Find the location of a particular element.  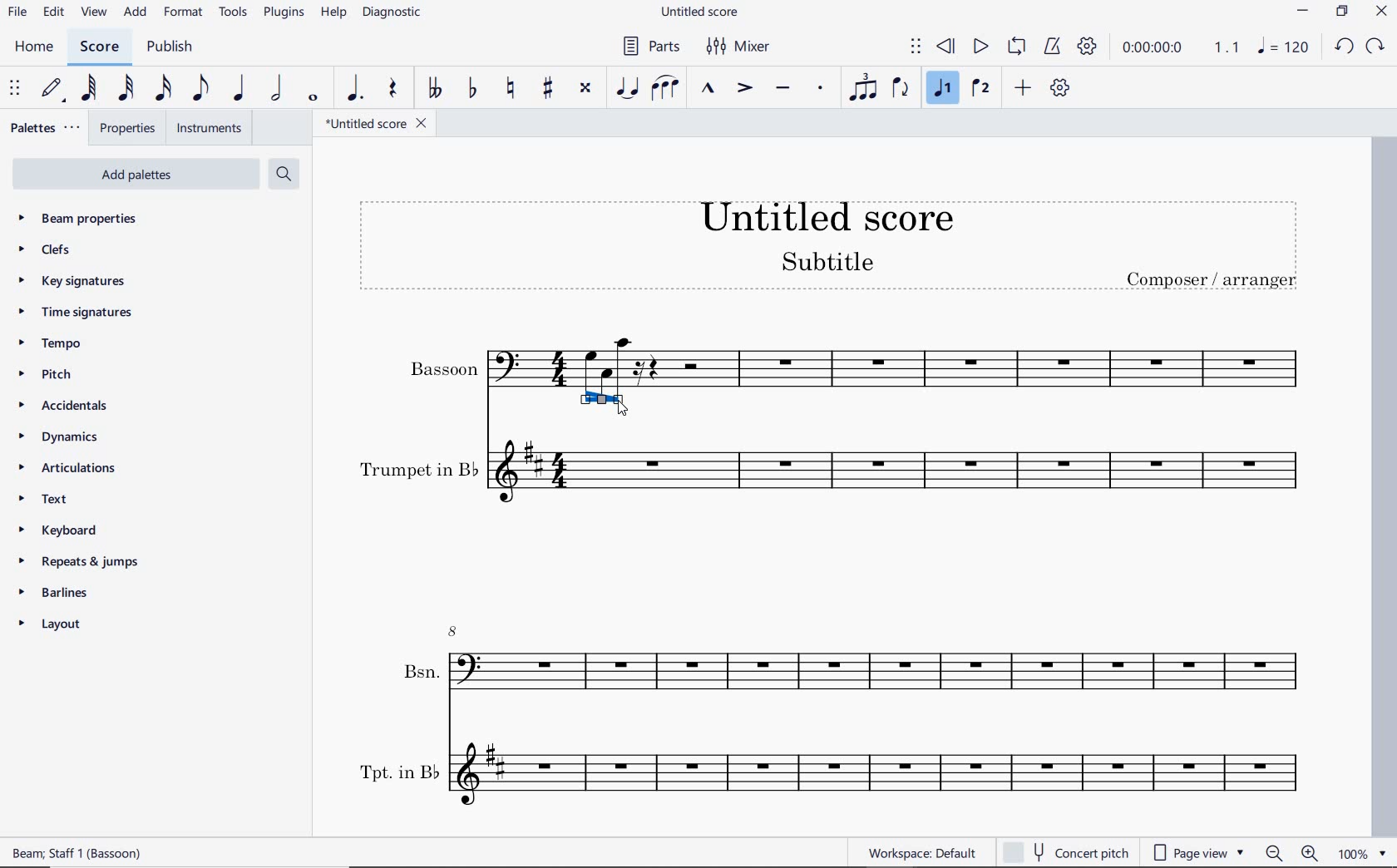

handles highlighted is located at coordinates (603, 407).